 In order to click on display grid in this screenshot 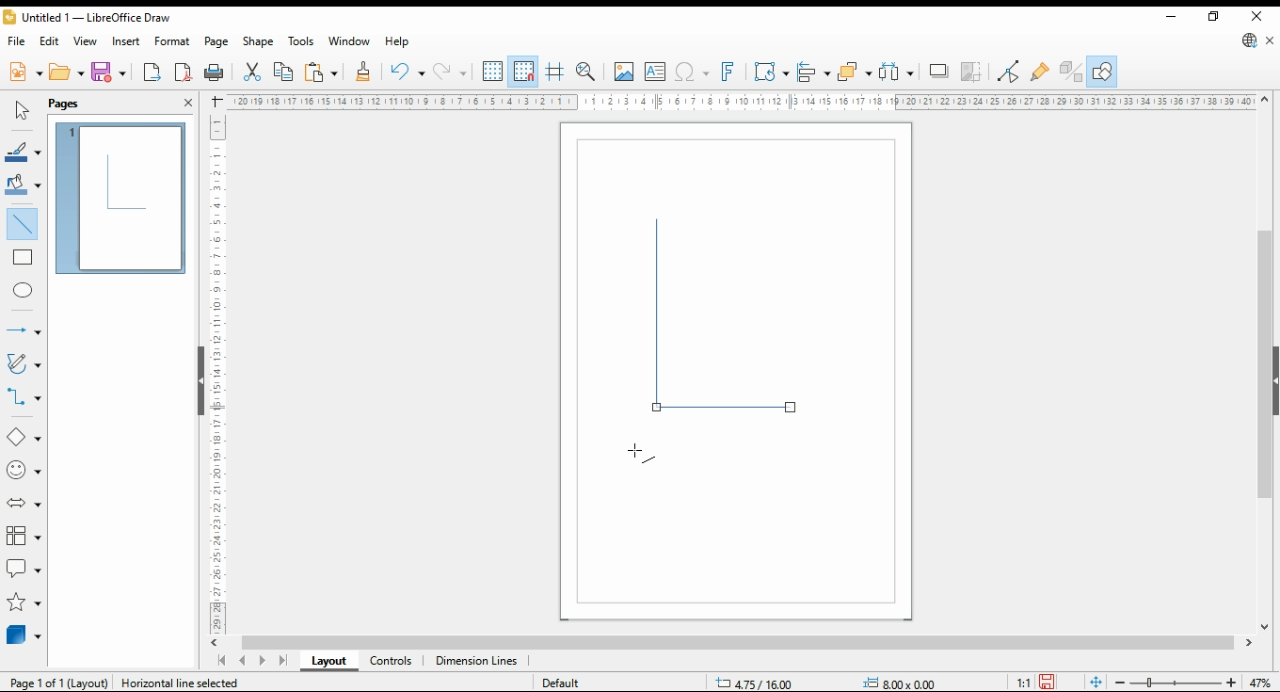, I will do `click(493, 70)`.